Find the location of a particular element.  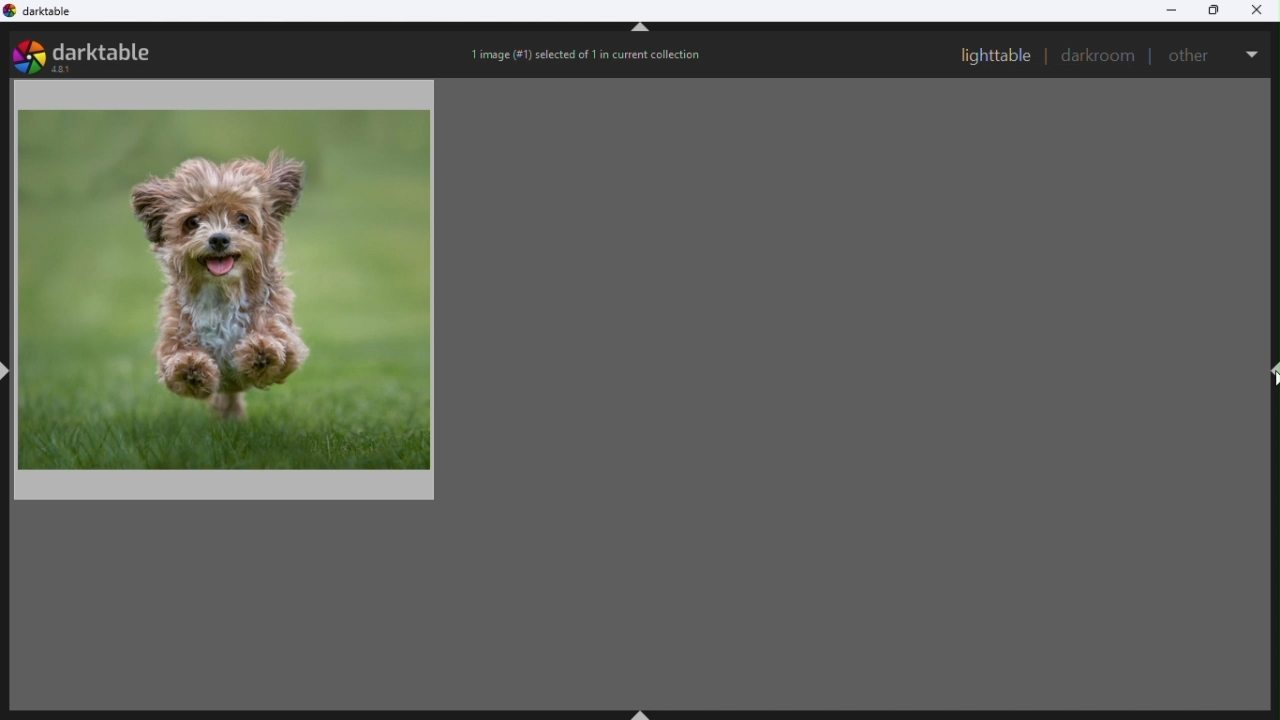

More options is located at coordinates (1253, 50).